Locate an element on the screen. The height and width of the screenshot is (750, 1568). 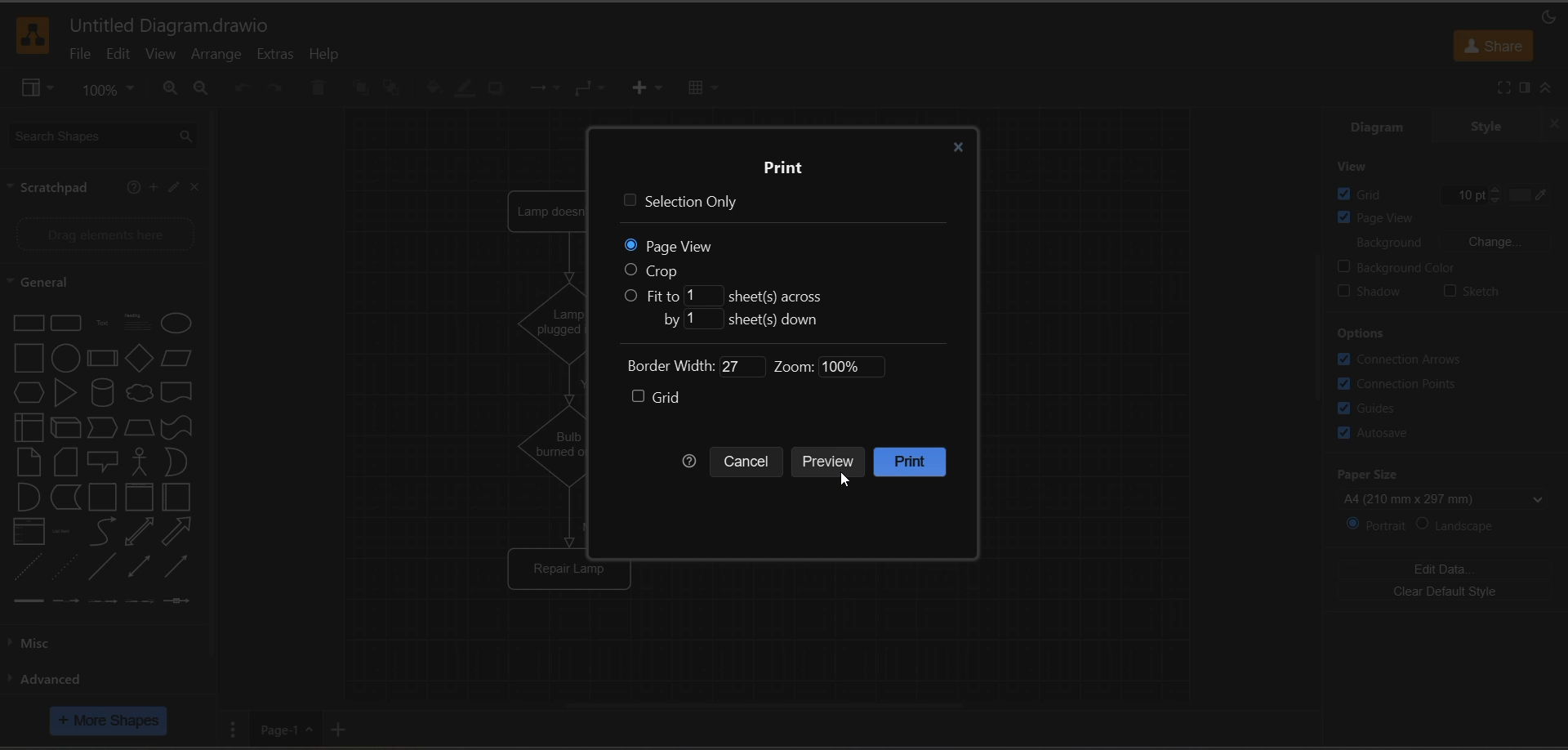
collapse is located at coordinates (1554, 88).